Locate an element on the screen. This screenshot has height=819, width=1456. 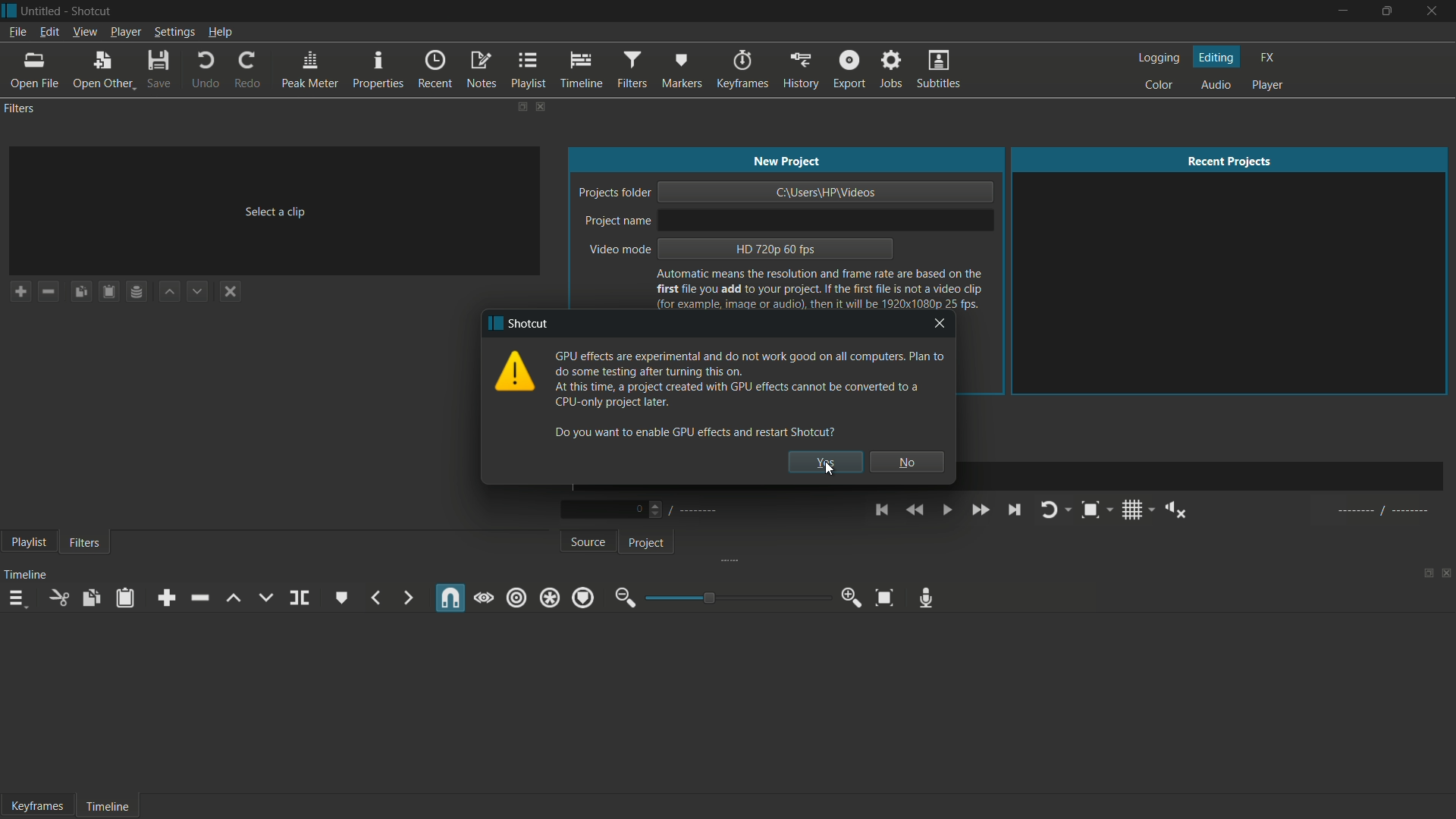
ripple is located at coordinates (516, 598).